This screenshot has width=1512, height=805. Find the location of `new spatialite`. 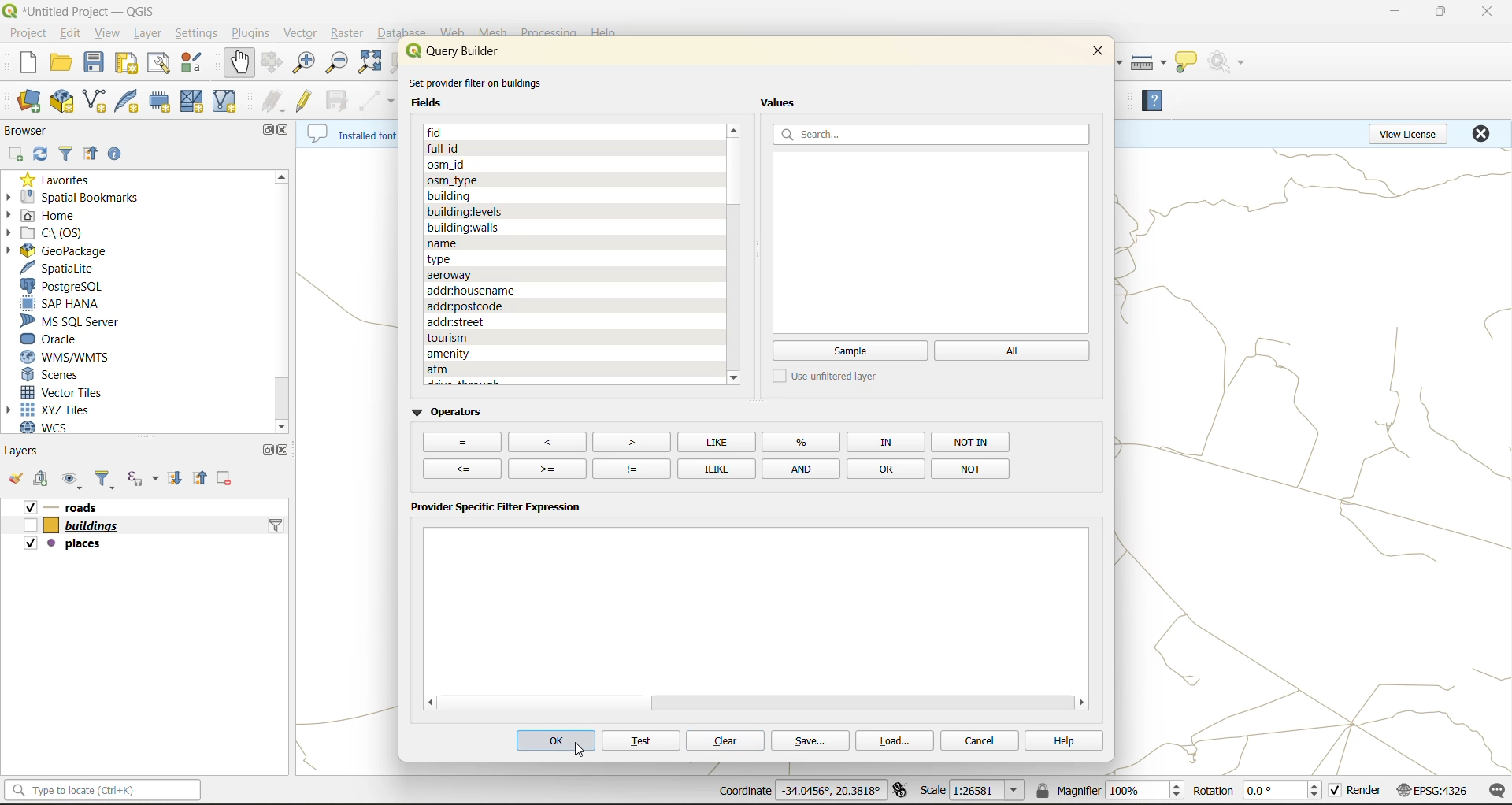

new spatialite is located at coordinates (130, 103).